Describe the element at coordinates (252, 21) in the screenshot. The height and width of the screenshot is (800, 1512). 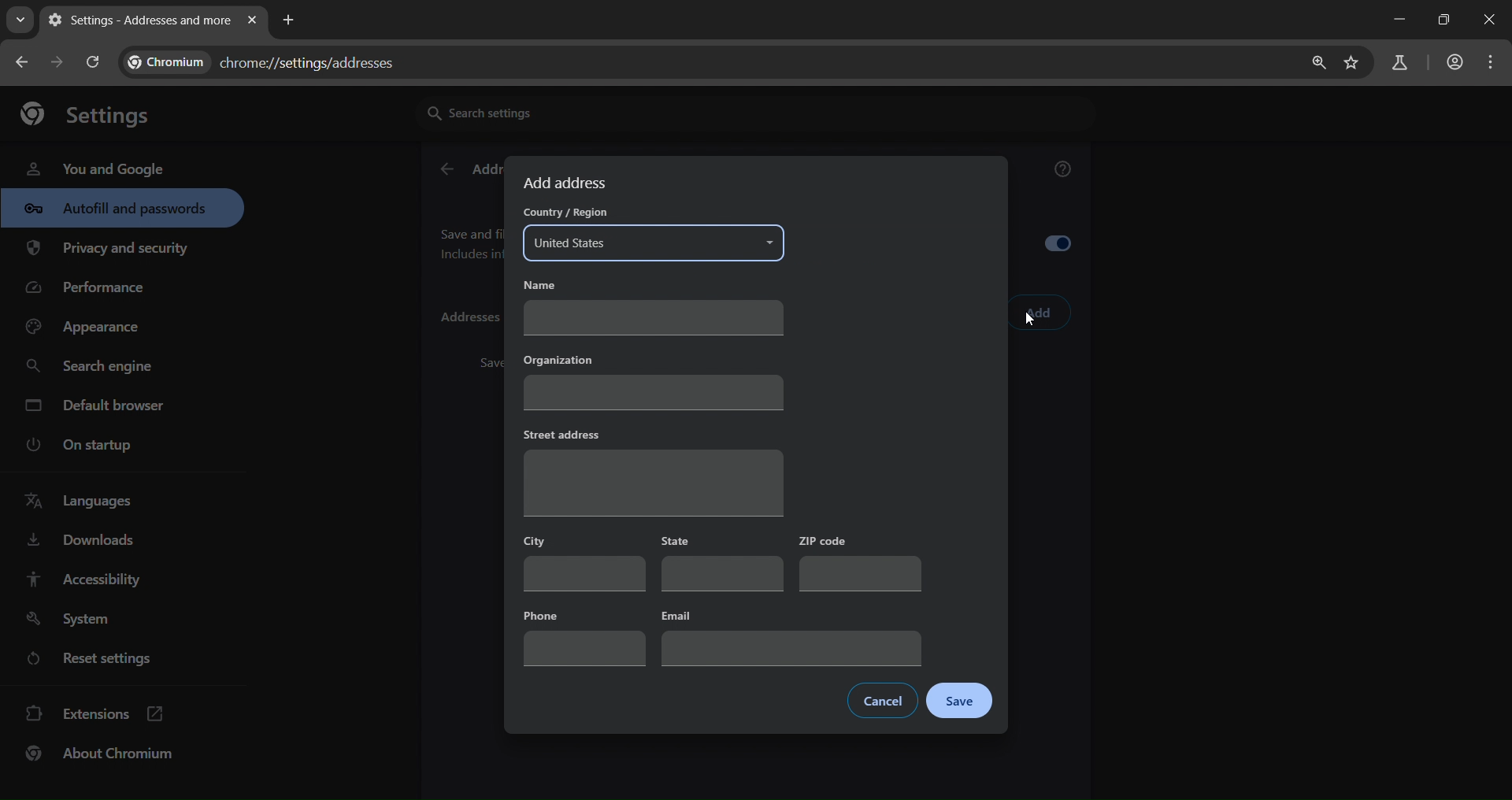
I see `close tab` at that location.